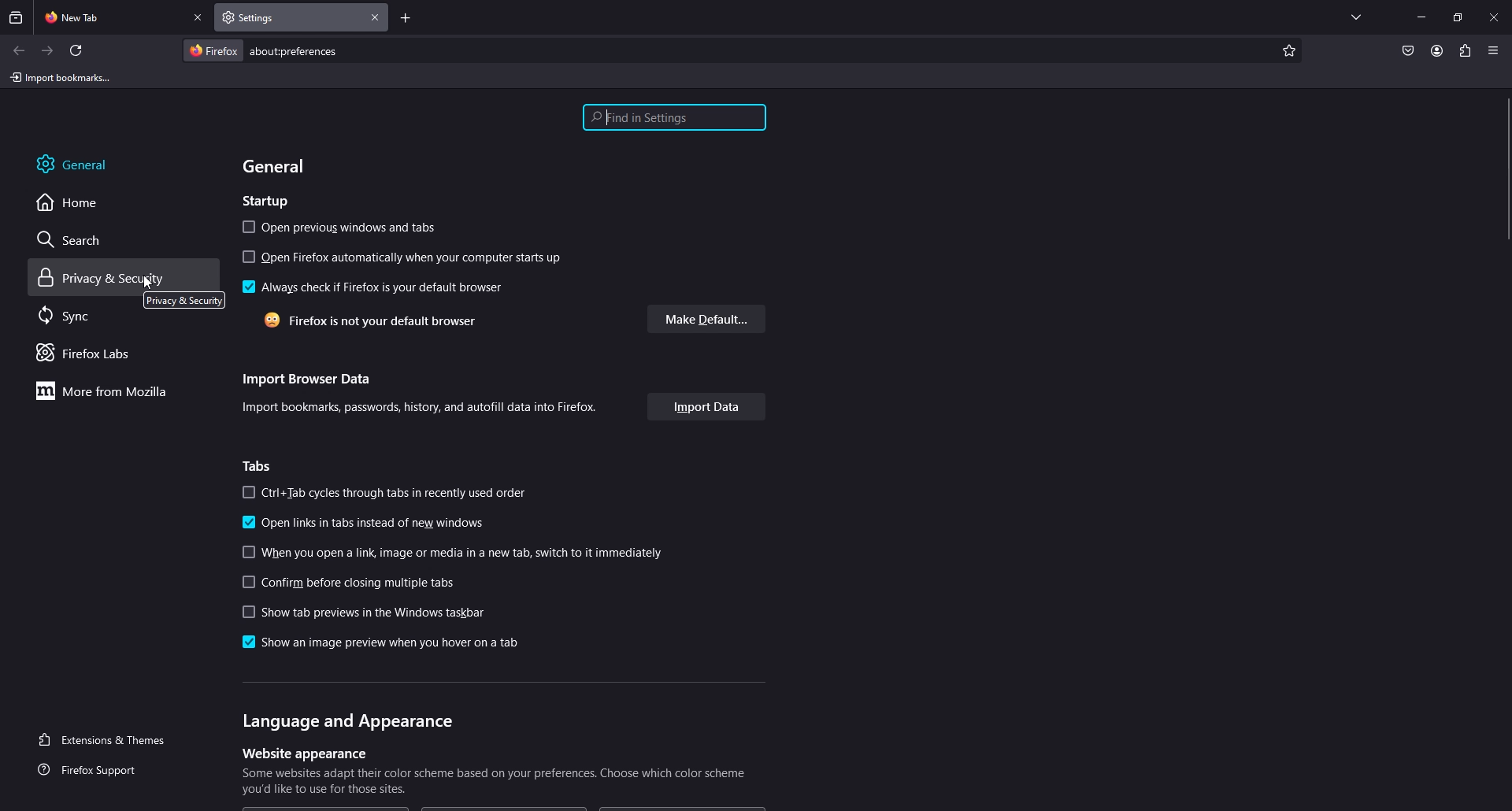  What do you see at coordinates (183, 300) in the screenshot?
I see `cursor description: privacy & safety` at bounding box center [183, 300].